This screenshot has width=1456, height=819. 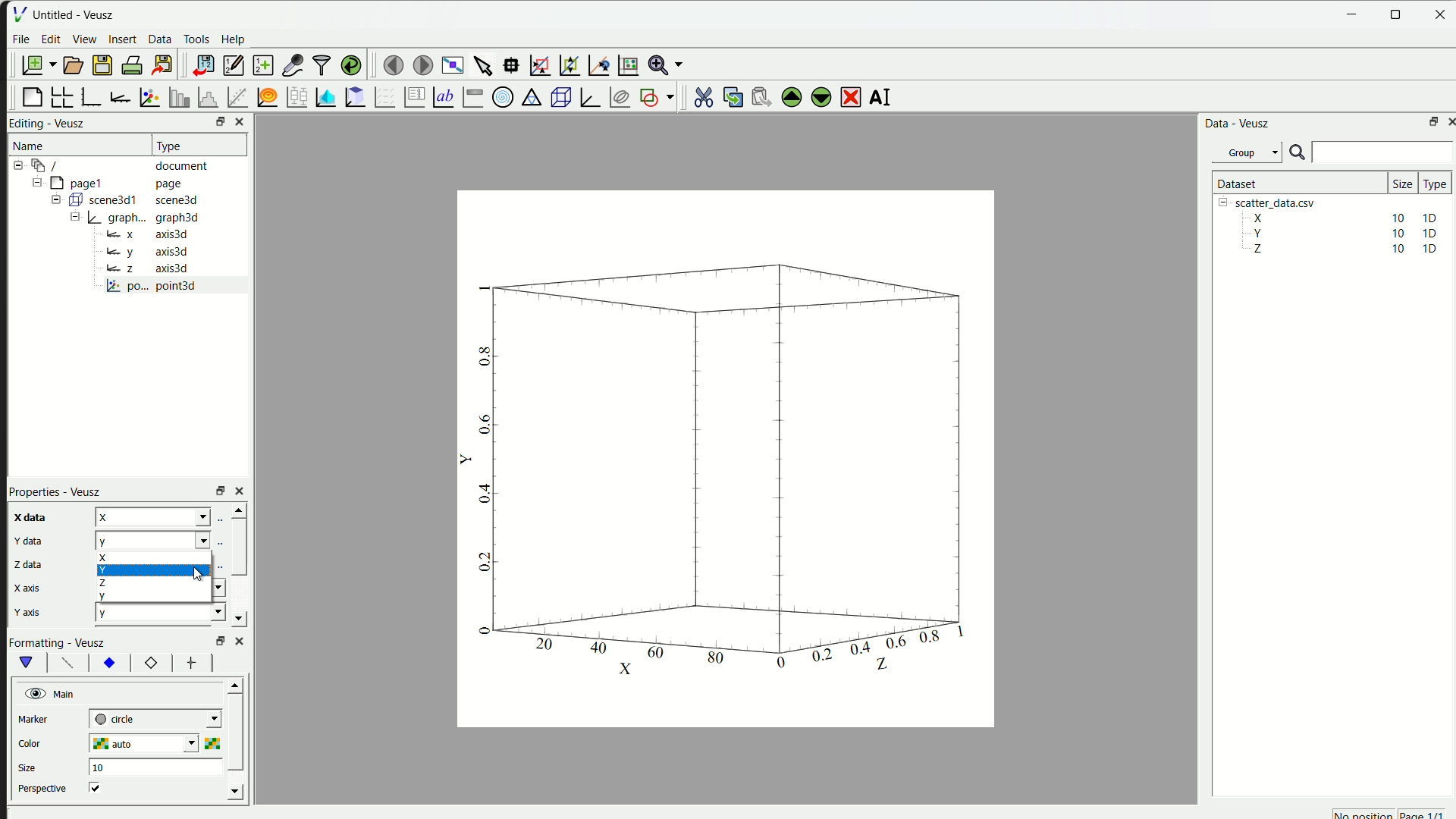 I want to click on | next-tick, so click(x=162, y=720).